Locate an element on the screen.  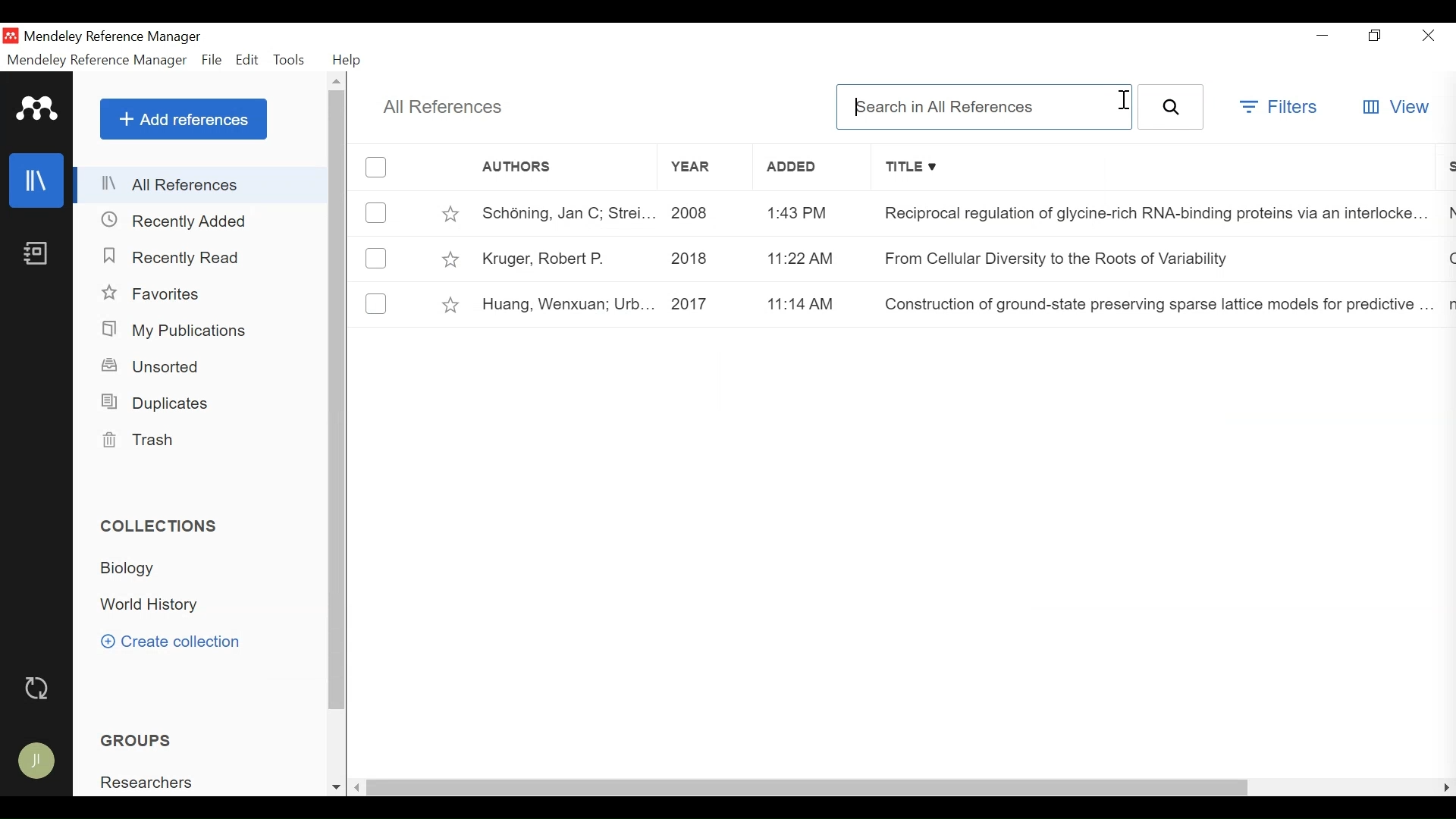
Notebook is located at coordinates (37, 253).